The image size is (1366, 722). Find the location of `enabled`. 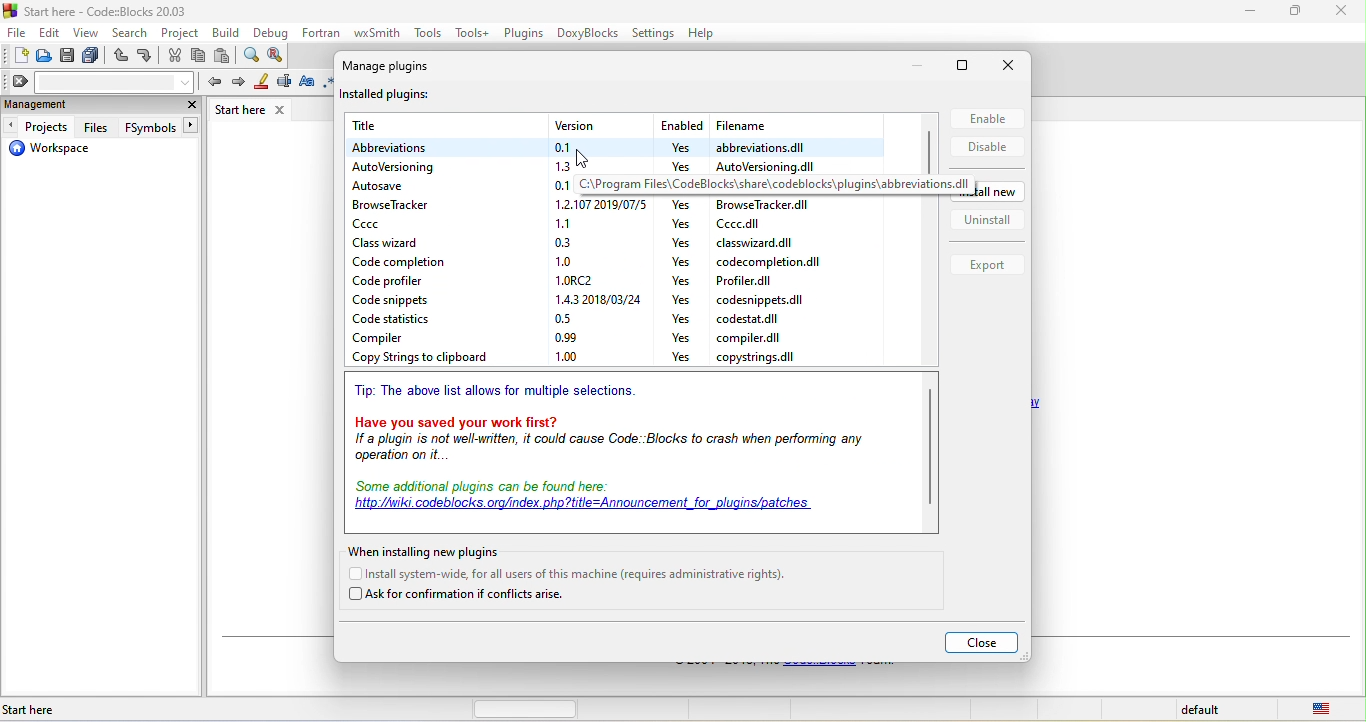

enabled is located at coordinates (682, 123).